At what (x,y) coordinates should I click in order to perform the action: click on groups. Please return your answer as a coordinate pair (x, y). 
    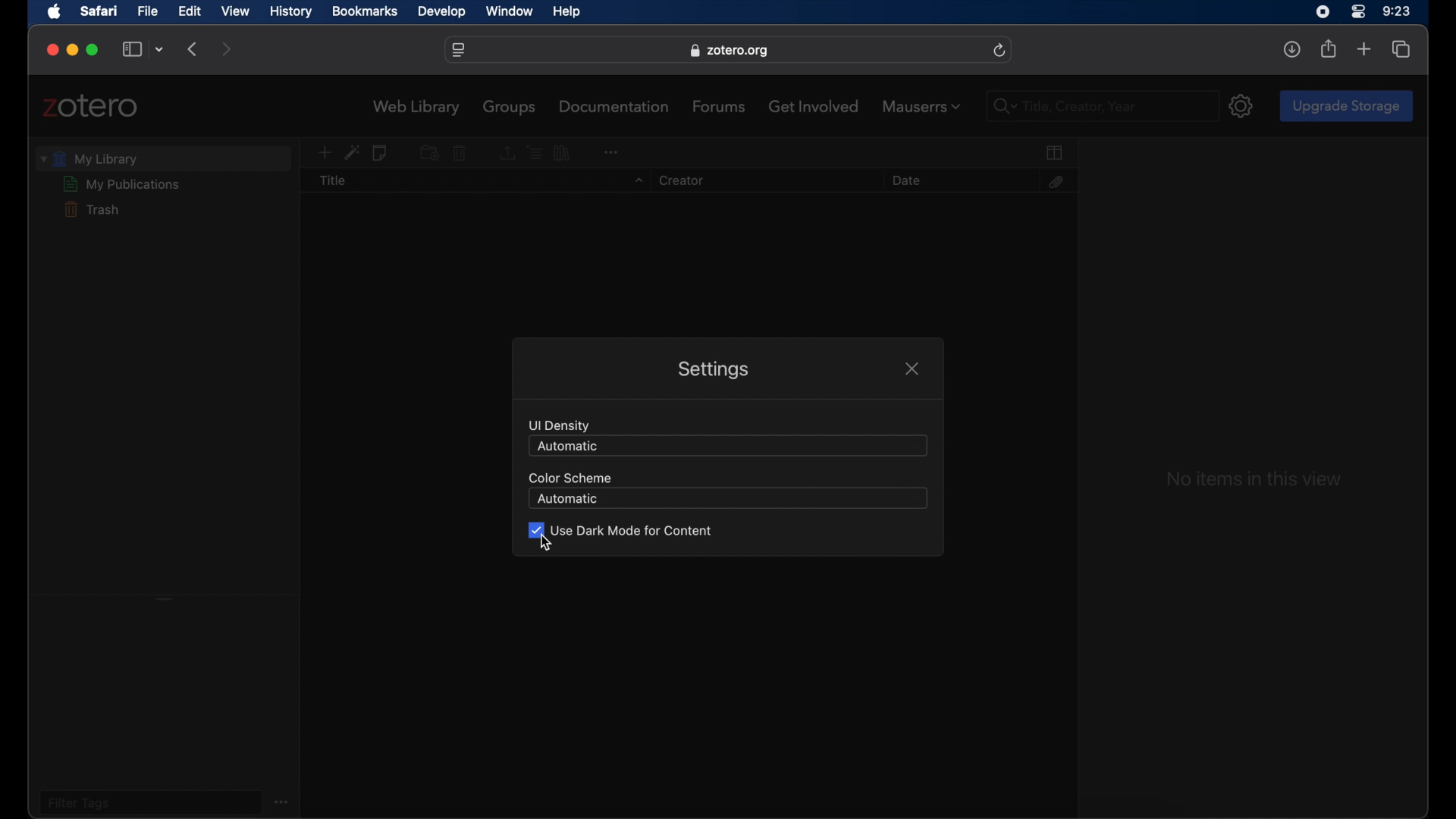
    Looking at the image, I should click on (510, 107).